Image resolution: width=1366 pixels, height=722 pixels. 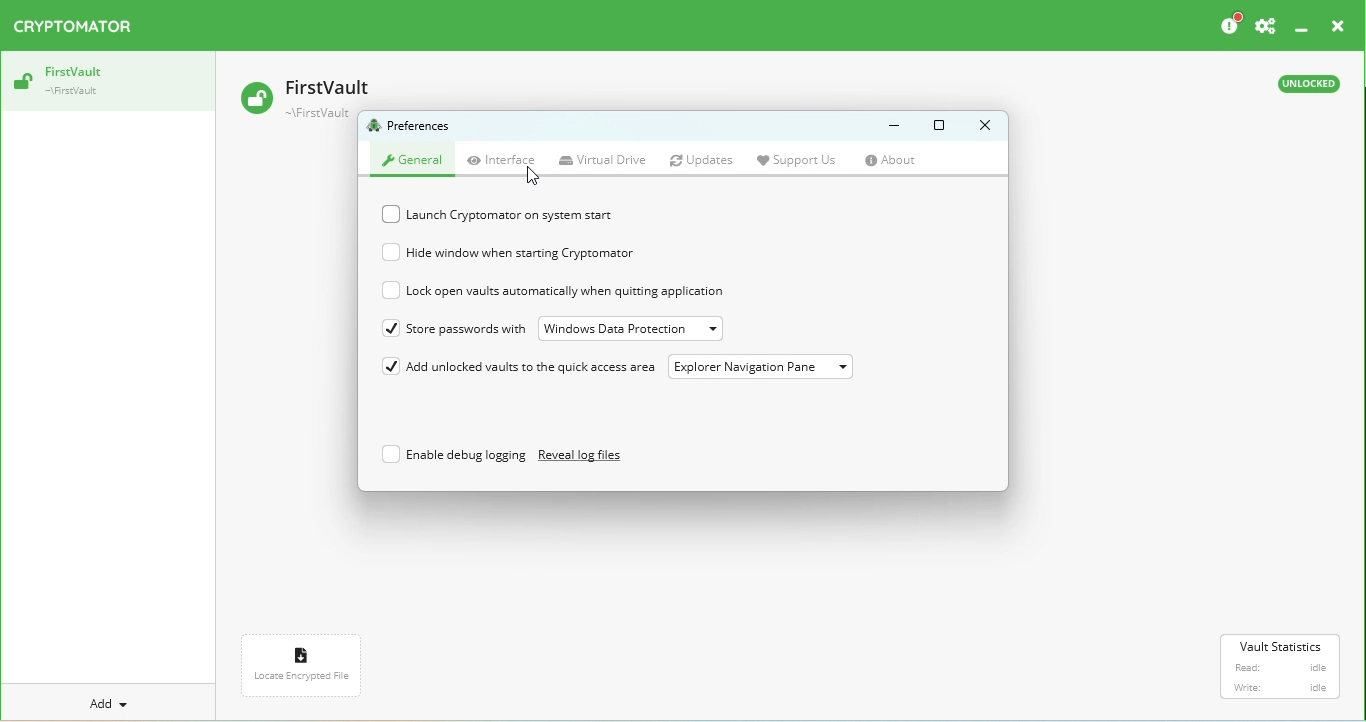 I want to click on Unlocked, so click(x=1306, y=87).